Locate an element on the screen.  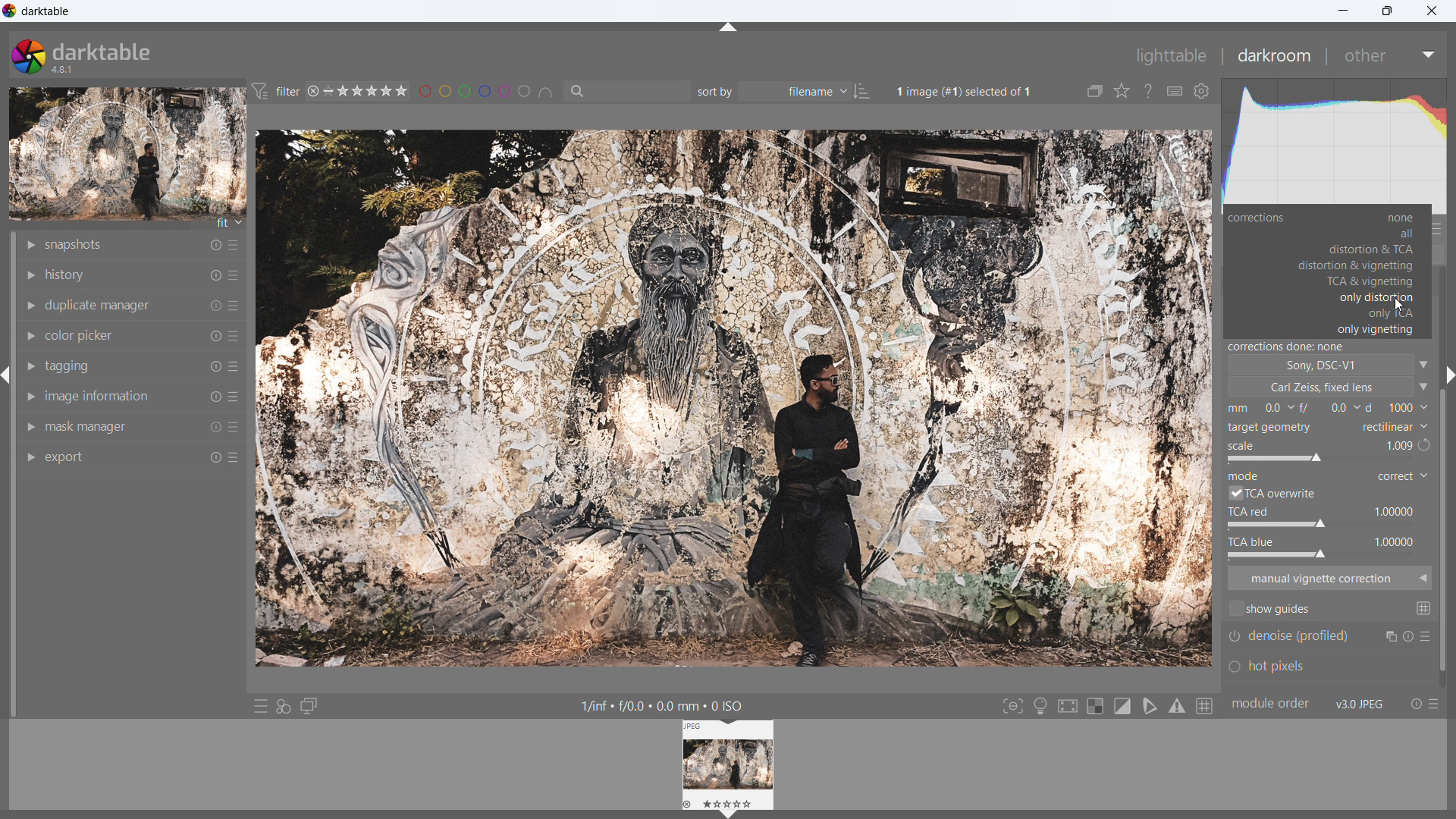
show module is located at coordinates (30, 273).